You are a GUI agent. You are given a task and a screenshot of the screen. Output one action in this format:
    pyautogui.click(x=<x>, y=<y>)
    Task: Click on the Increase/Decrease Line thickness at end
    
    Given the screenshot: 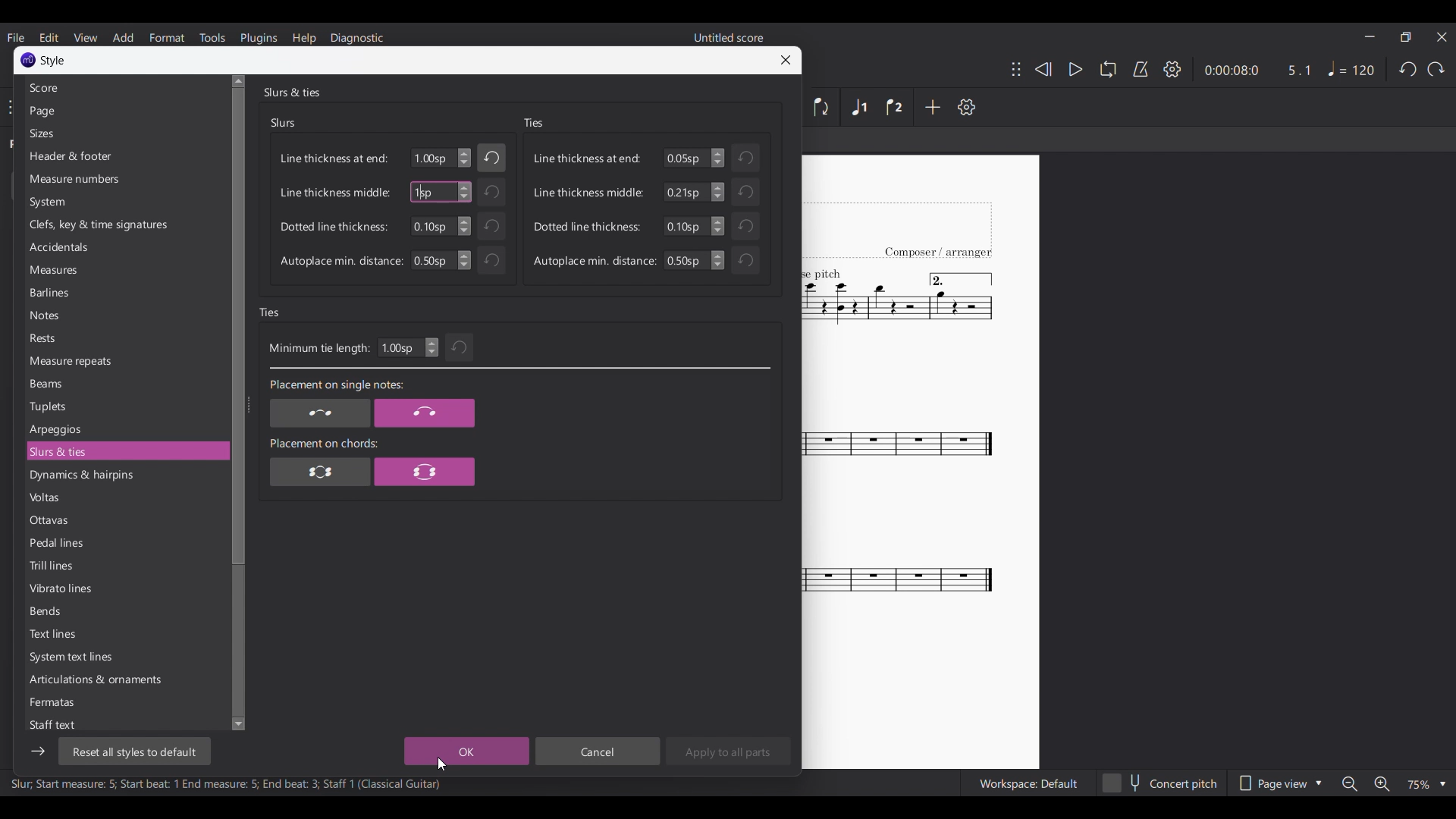 What is the action you would take?
    pyautogui.click(x=717, y=158)
    